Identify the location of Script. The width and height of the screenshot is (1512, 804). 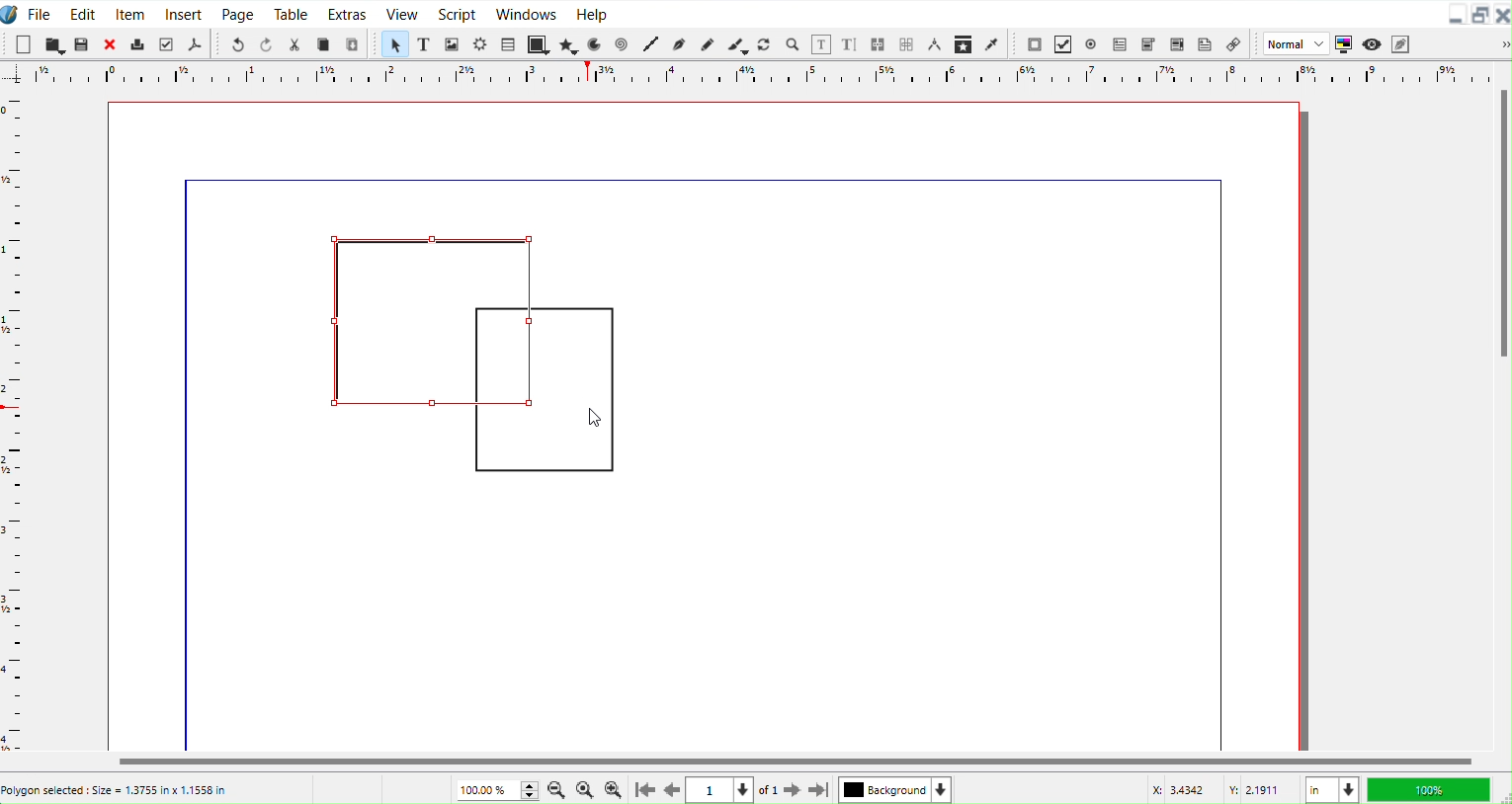
(458, 13).